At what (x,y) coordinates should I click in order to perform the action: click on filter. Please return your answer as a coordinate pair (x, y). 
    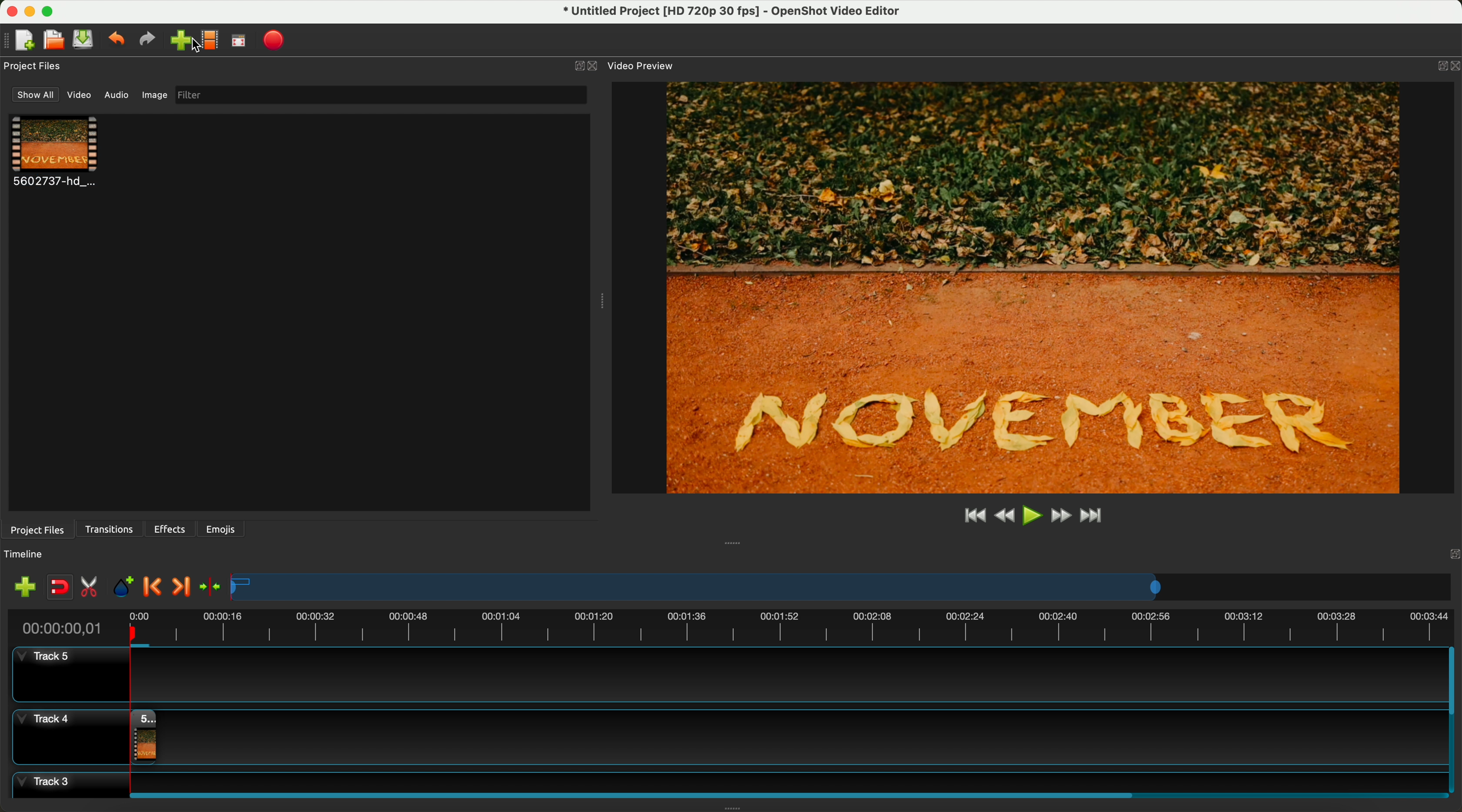
    Looking at the image, I should click on (378, 95).